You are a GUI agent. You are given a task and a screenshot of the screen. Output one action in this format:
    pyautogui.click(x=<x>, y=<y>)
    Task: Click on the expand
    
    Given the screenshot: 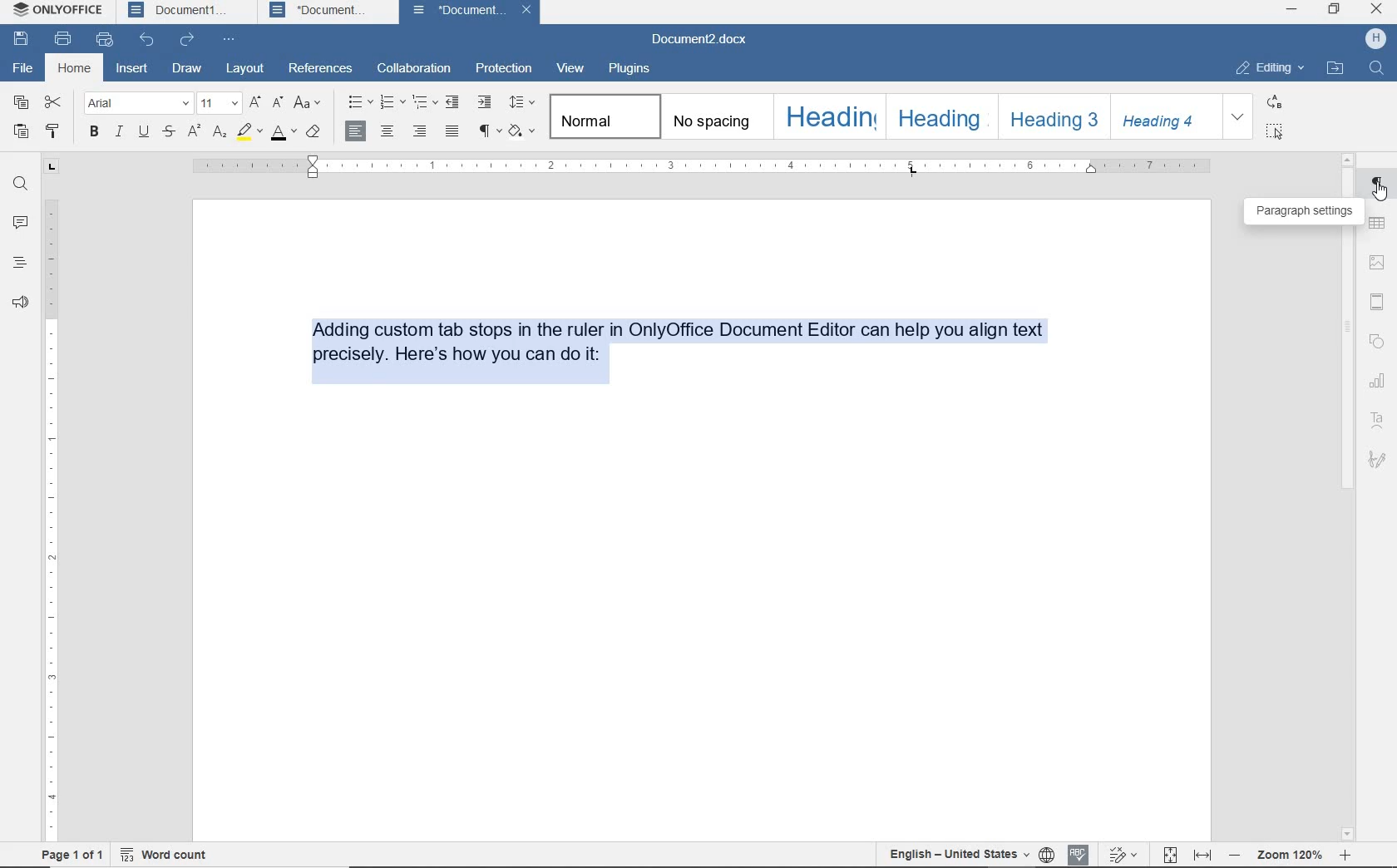 What is the action you would take?
    pyautogui.click(x=1238, y=116)
    